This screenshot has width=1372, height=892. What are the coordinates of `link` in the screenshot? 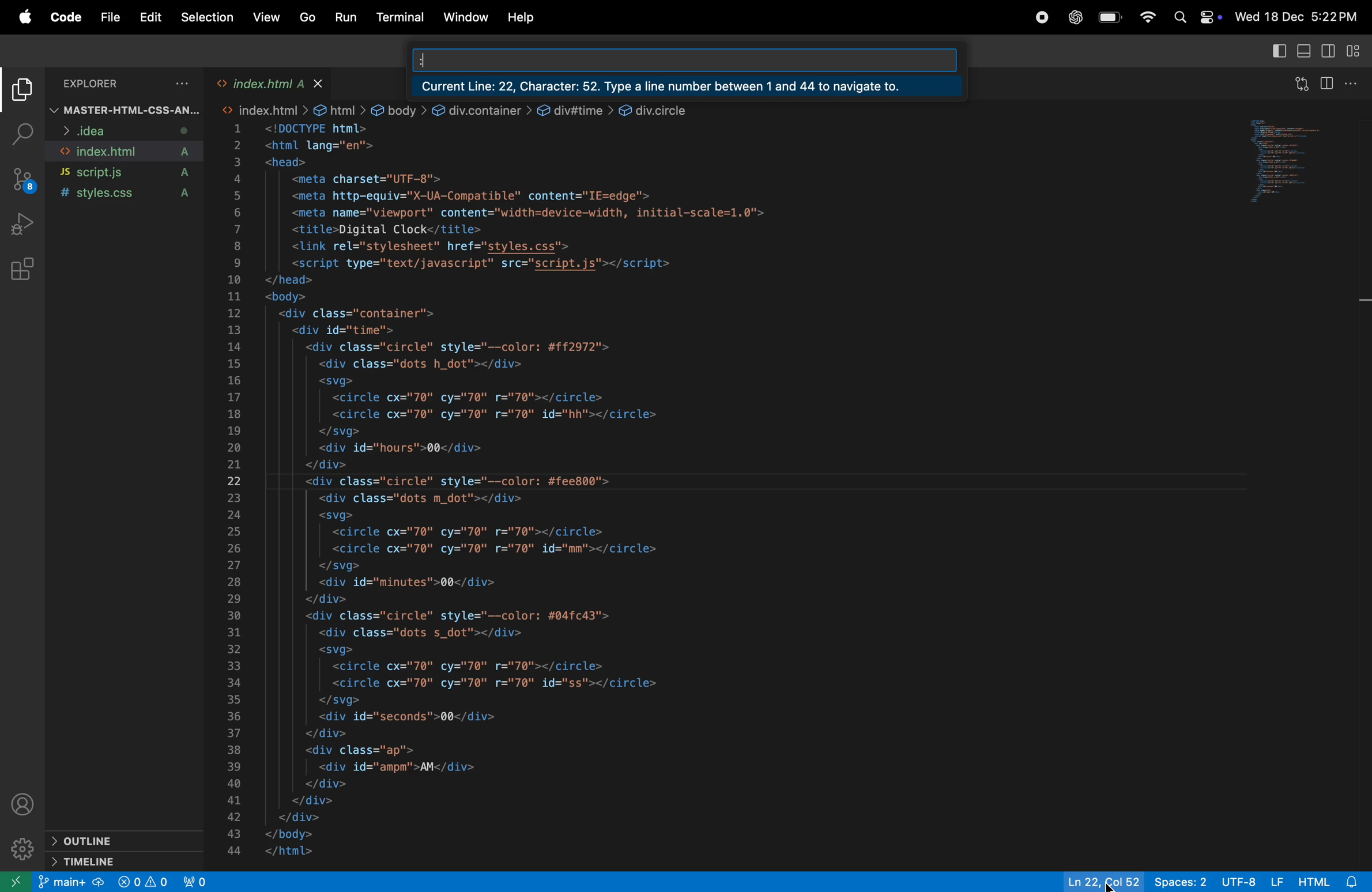 It's located at (574, 108).